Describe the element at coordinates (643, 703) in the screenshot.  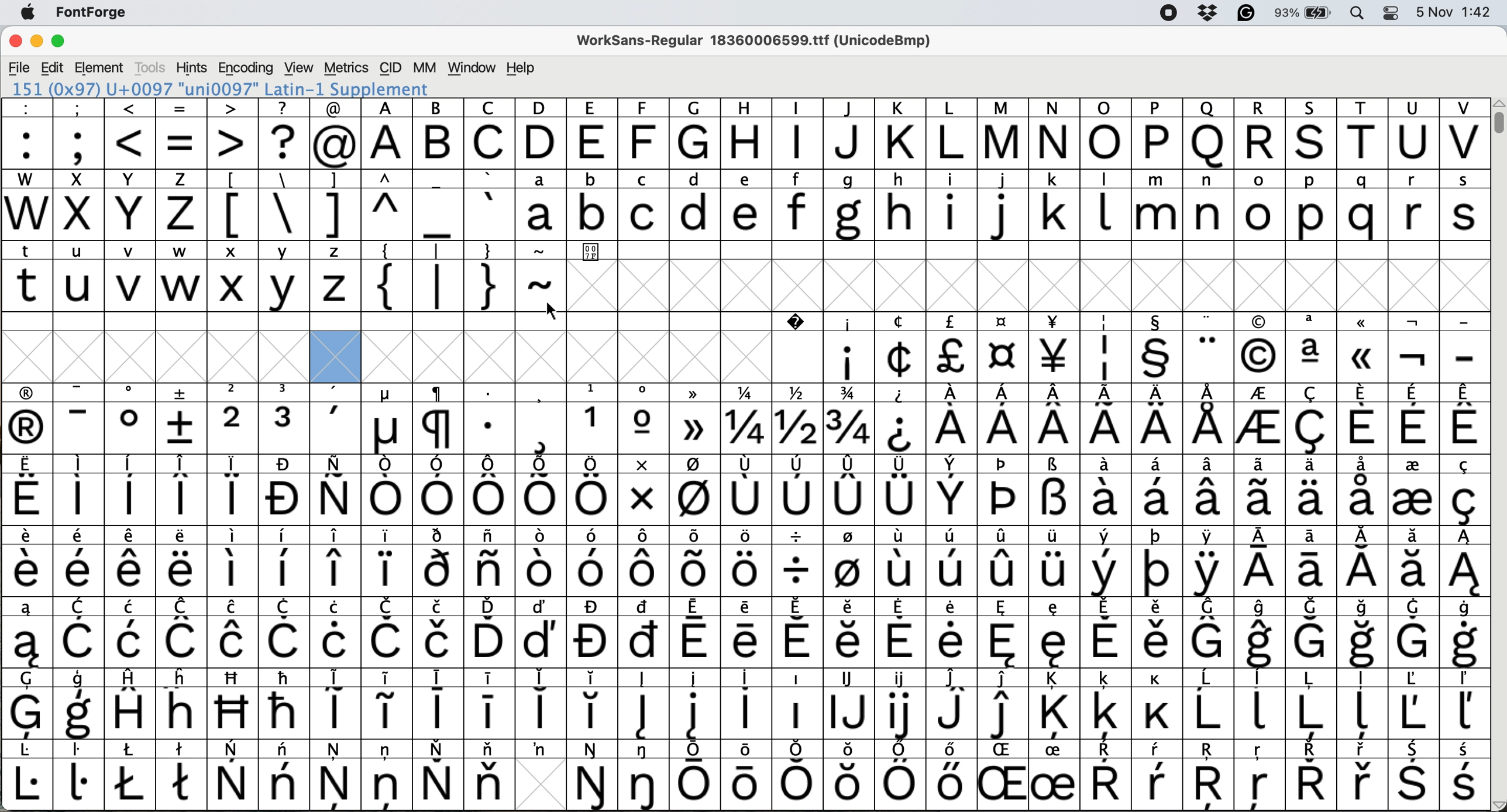
I see `symbol` at that location.